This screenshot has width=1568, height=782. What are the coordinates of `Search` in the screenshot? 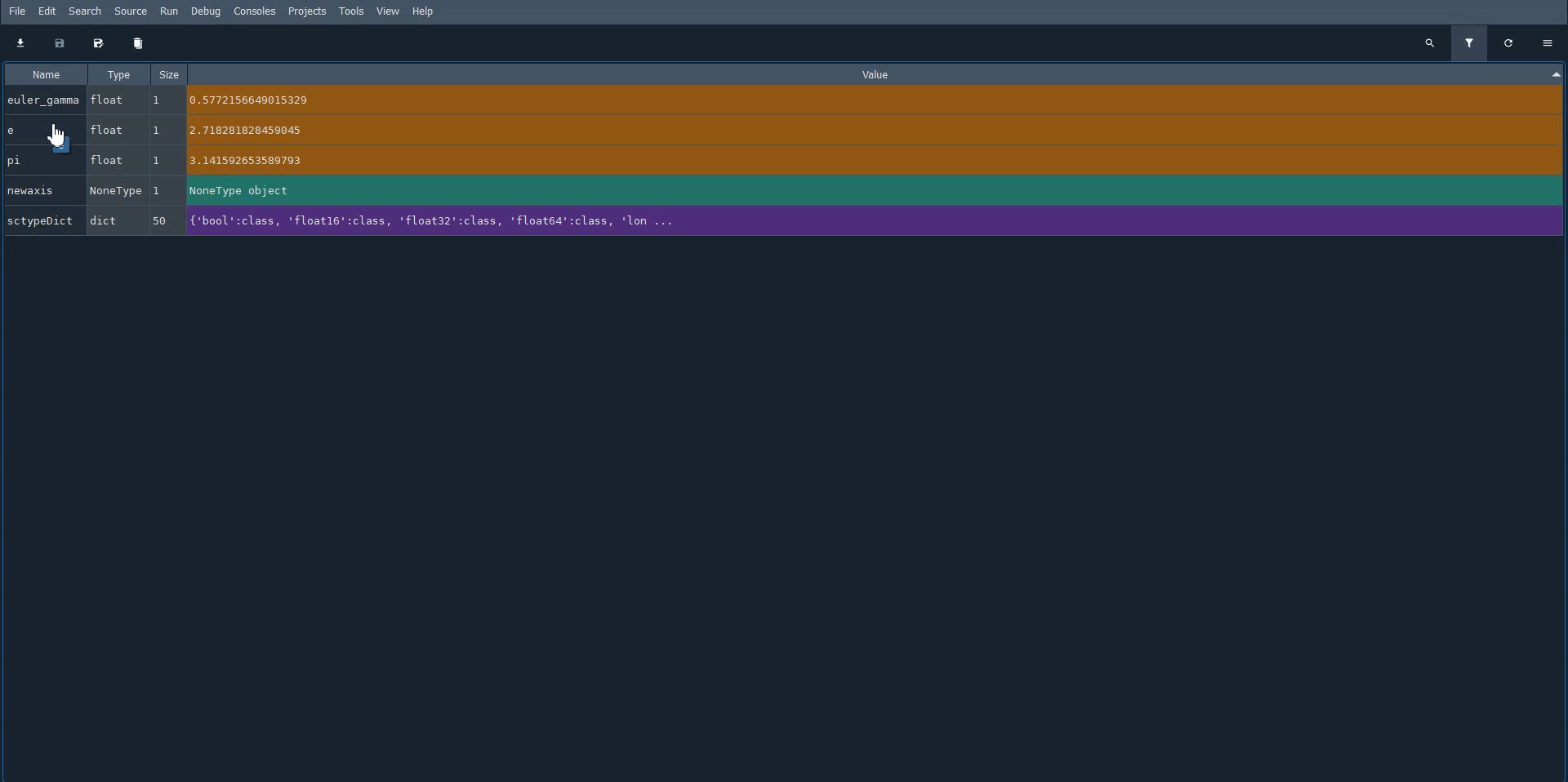 It's located at (86, 11).